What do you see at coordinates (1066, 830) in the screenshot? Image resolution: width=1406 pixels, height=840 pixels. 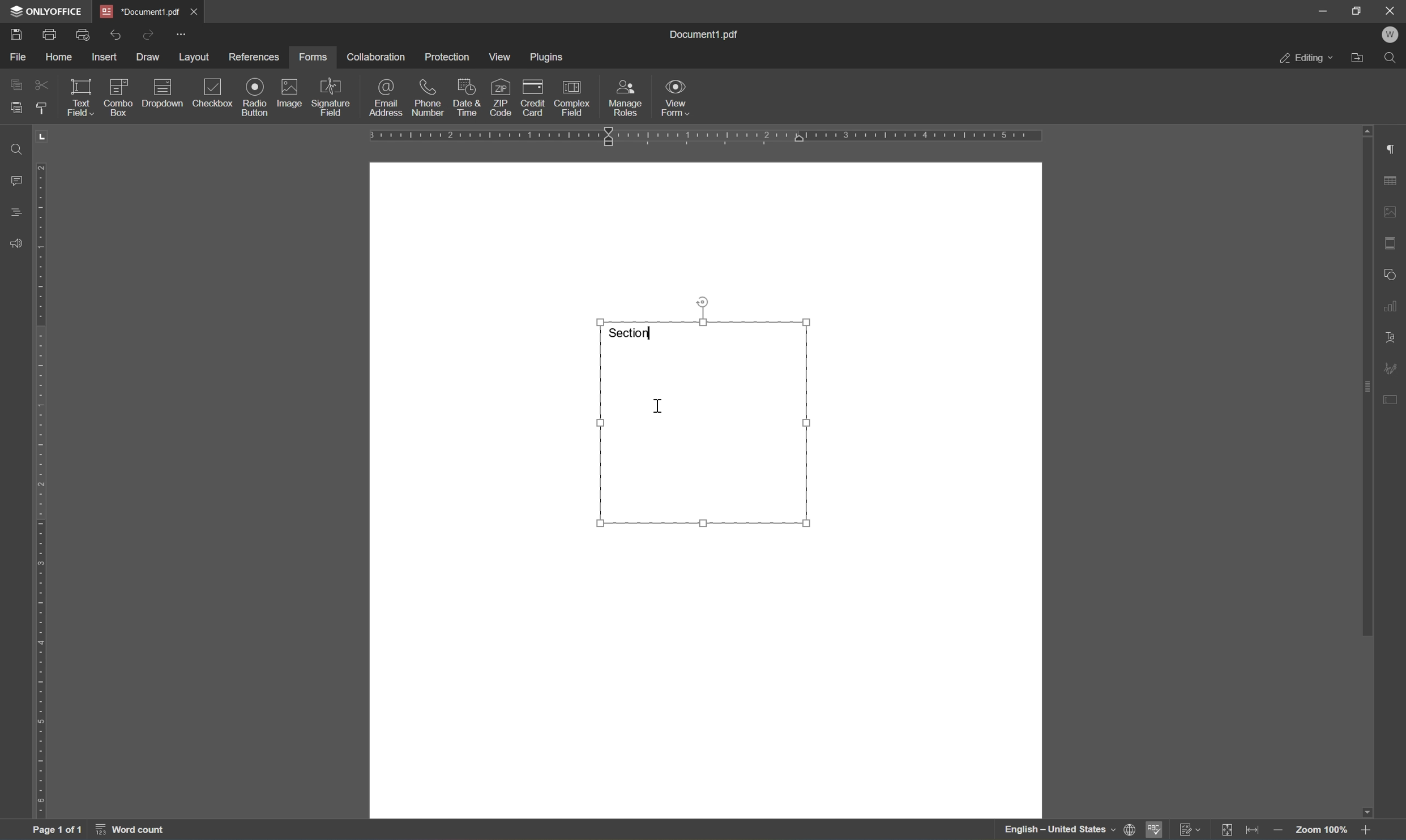 I see `set document language` at bounding box center [1066, 830].